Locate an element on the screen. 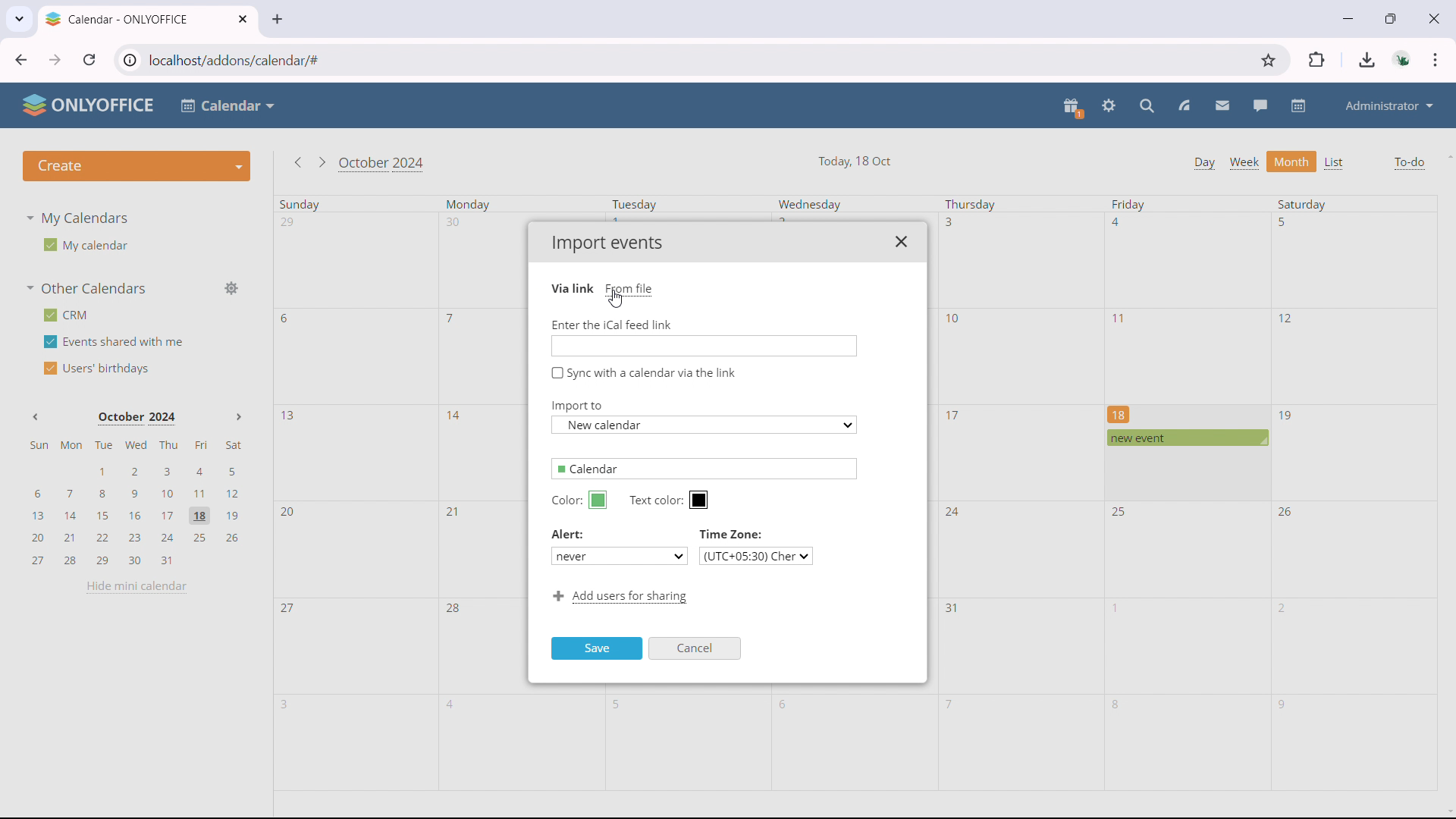 The width and height of the screenshot is (1456, 819). Calendar is located at coordinates (229, 105).